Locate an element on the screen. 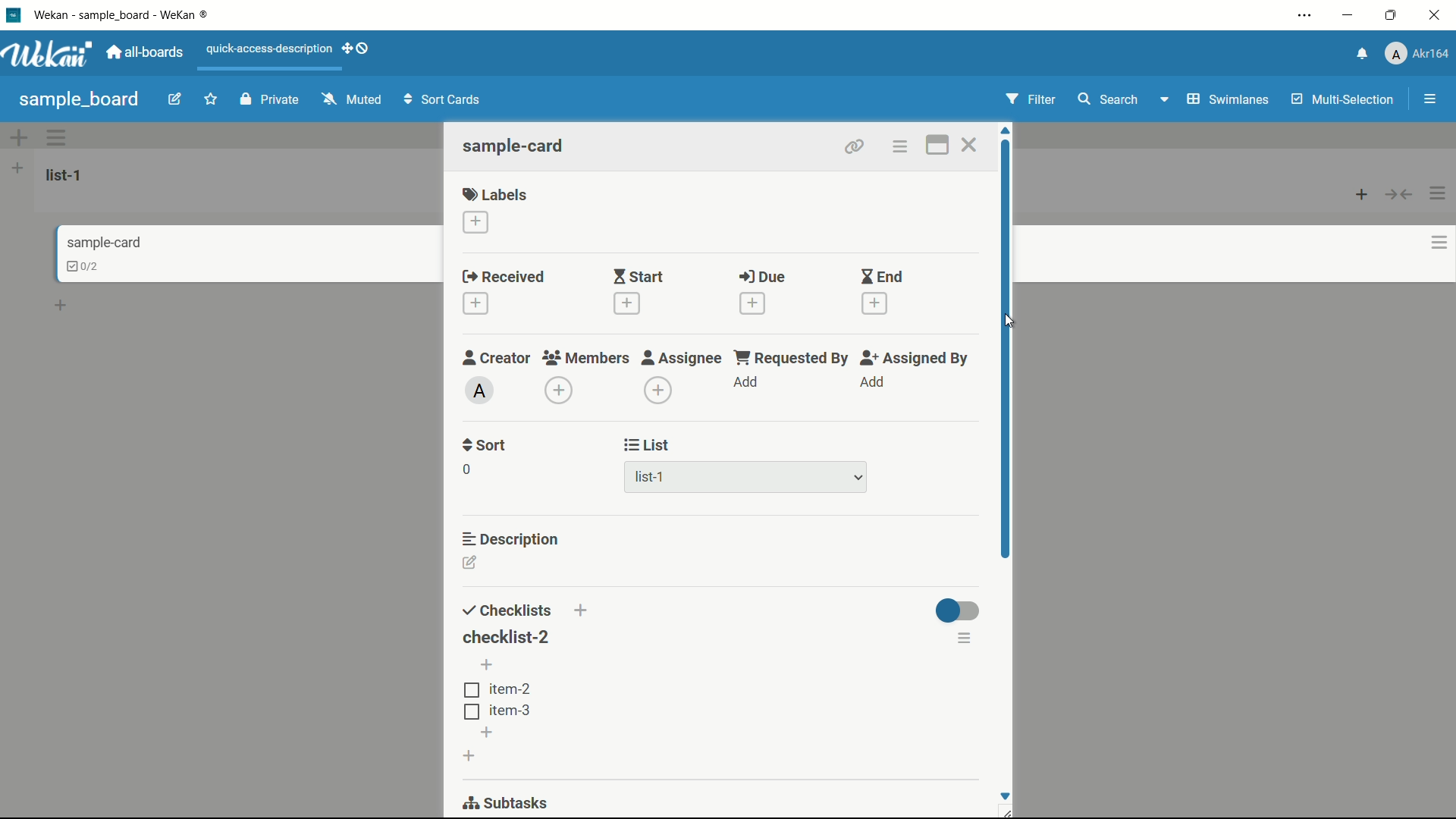 This screenshot has width=1456, height=819. list name is located at coordinates (67, 175).